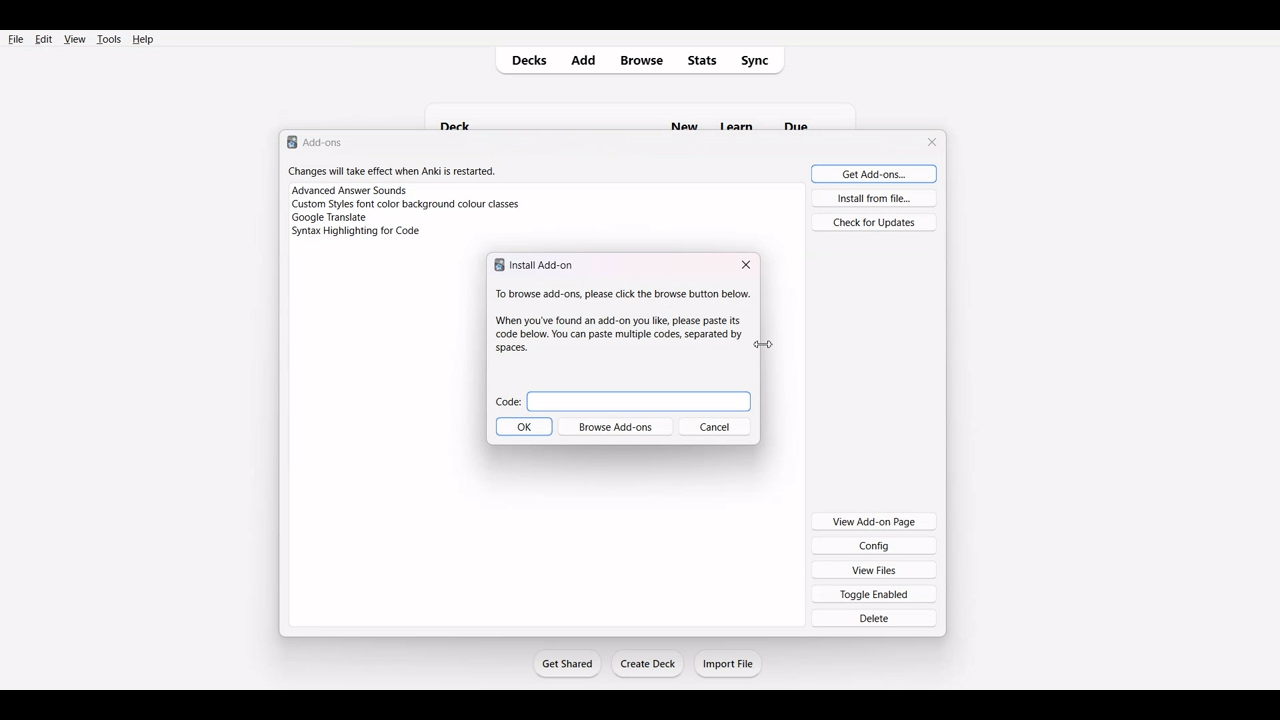 The image size is (1280, 720). Describe the element at coordinates (537, 265) in the screenshot. I see `install ad ons` at that location.